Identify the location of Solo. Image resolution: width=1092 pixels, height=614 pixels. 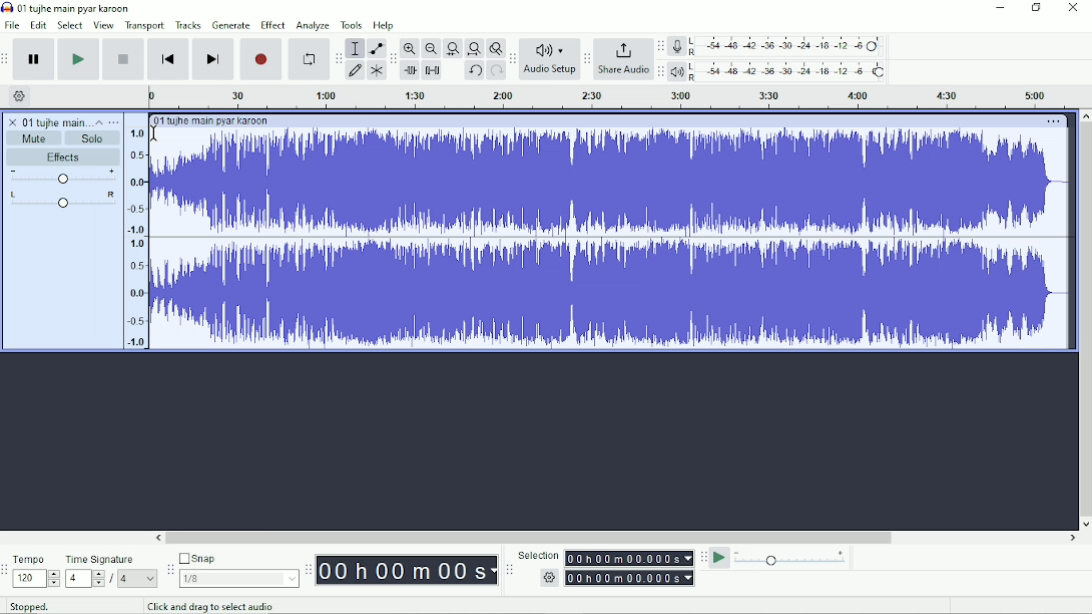
(94, 139).